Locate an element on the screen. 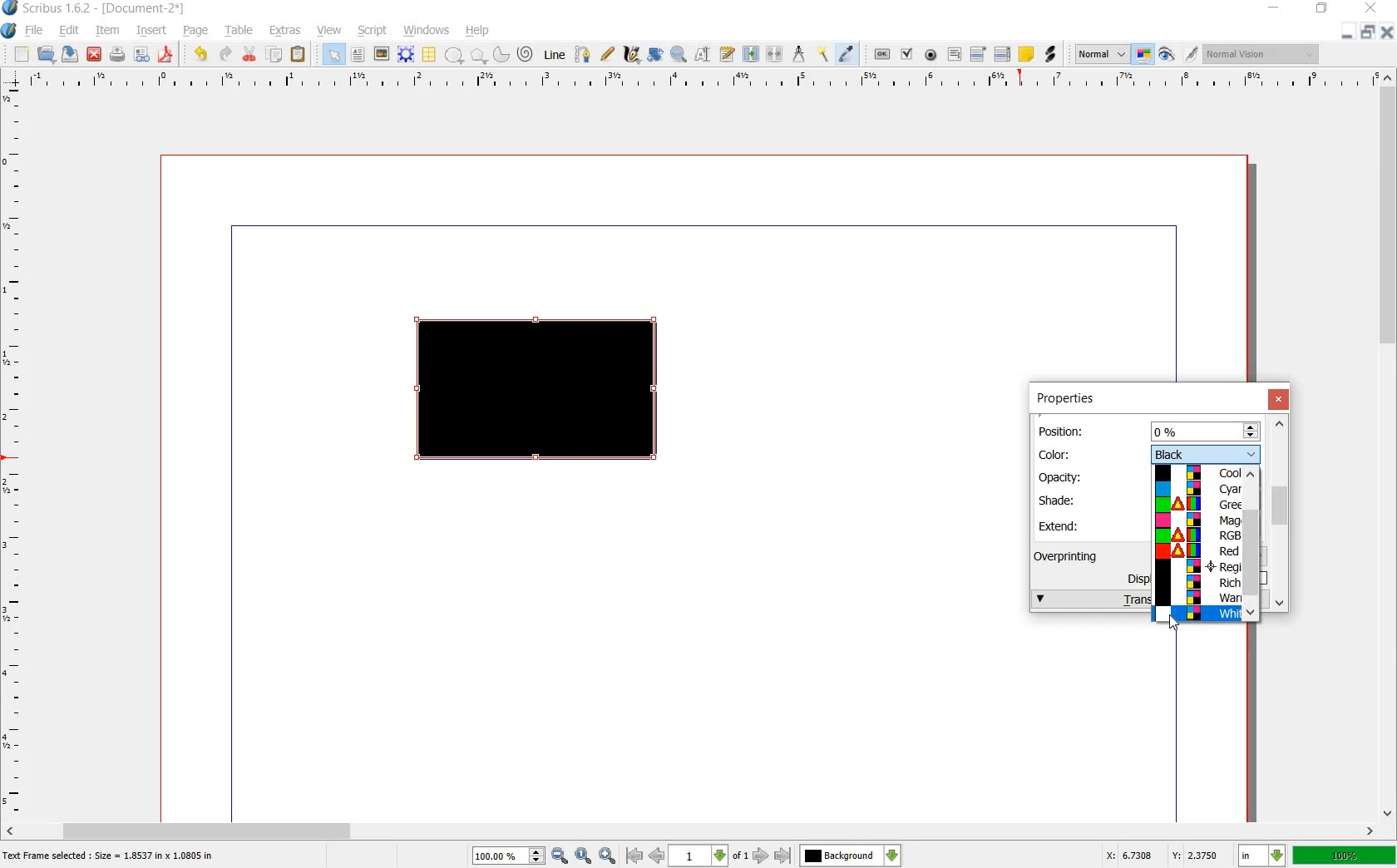  close is located at coordinates (1281, 400).